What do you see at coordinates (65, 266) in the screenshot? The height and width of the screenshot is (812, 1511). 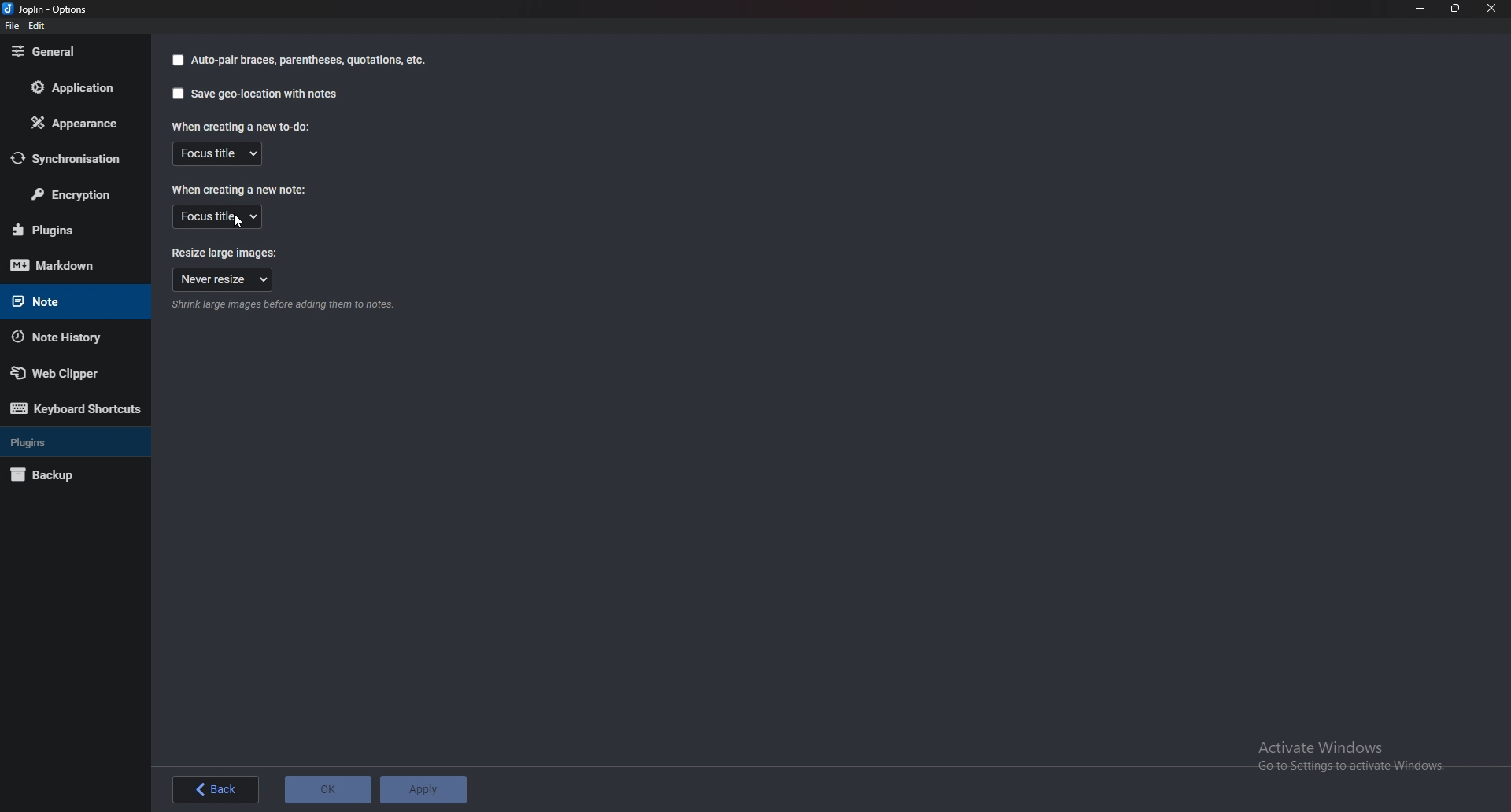 I see `mark down` at bounding box center [65, 266].